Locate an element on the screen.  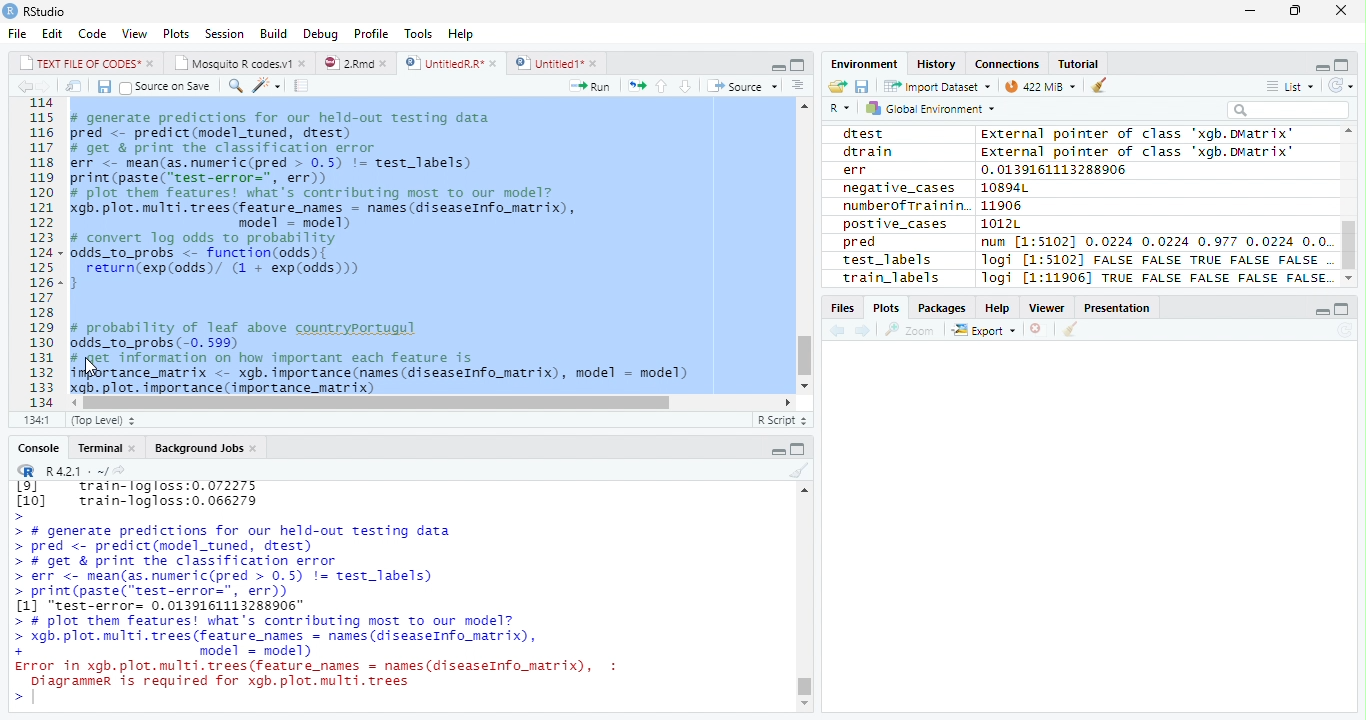
Delete is located at coordinates (1037, 329).